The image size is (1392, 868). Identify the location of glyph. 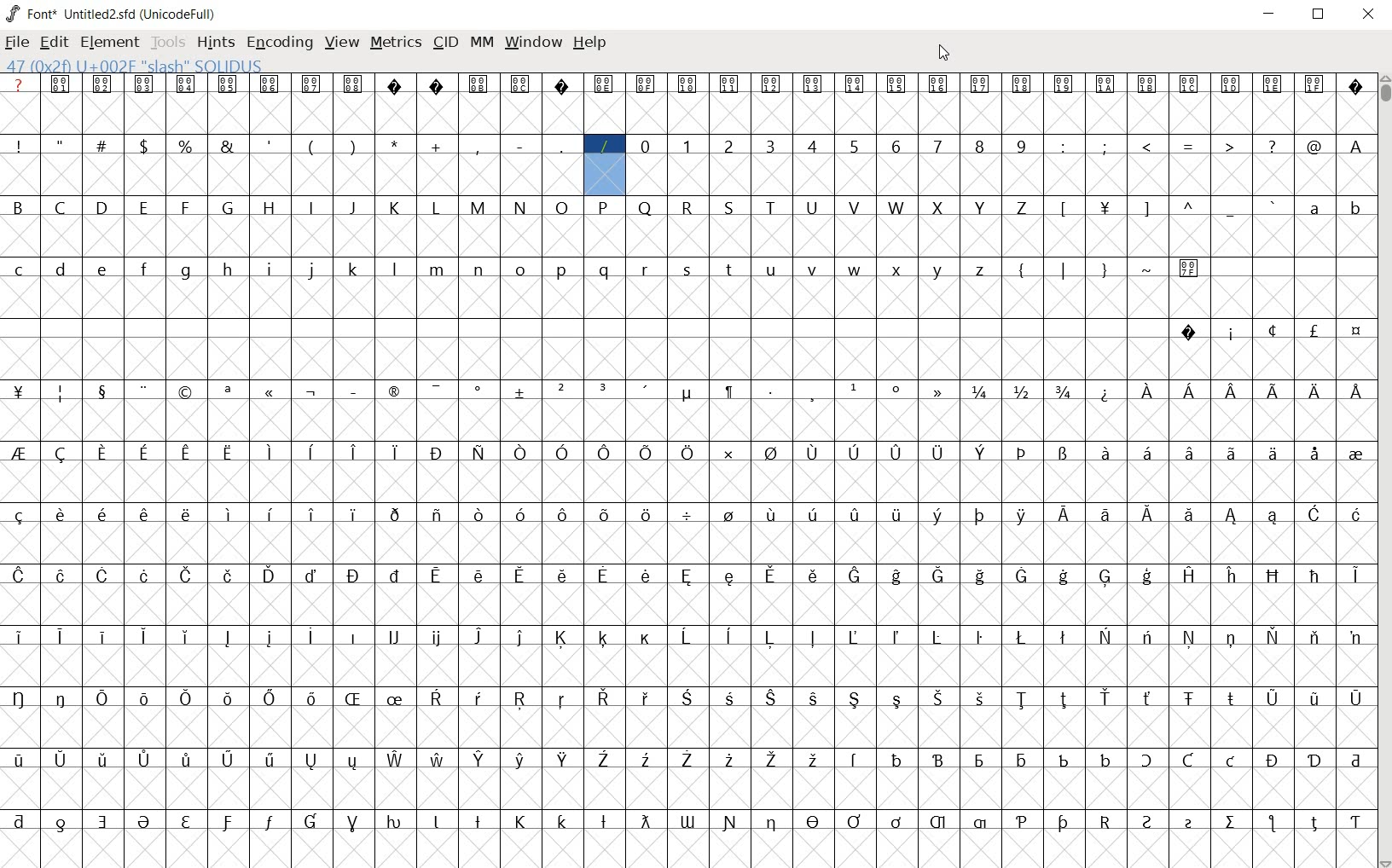
(61, 698).